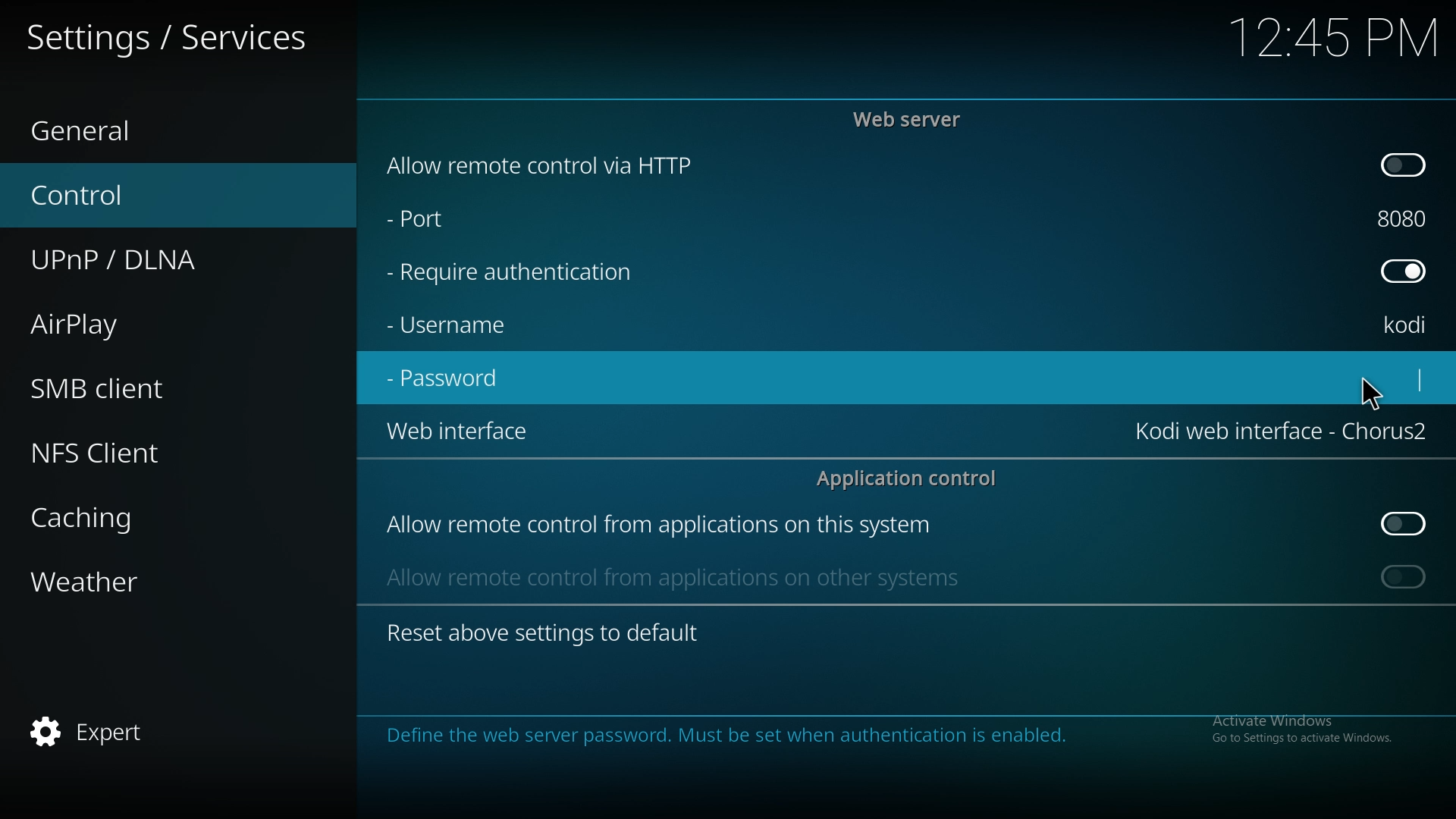  What do you see at coordinates (542, 166) in the screenshot?
I see `allow remote control via http` at bounding box center [542, 166].